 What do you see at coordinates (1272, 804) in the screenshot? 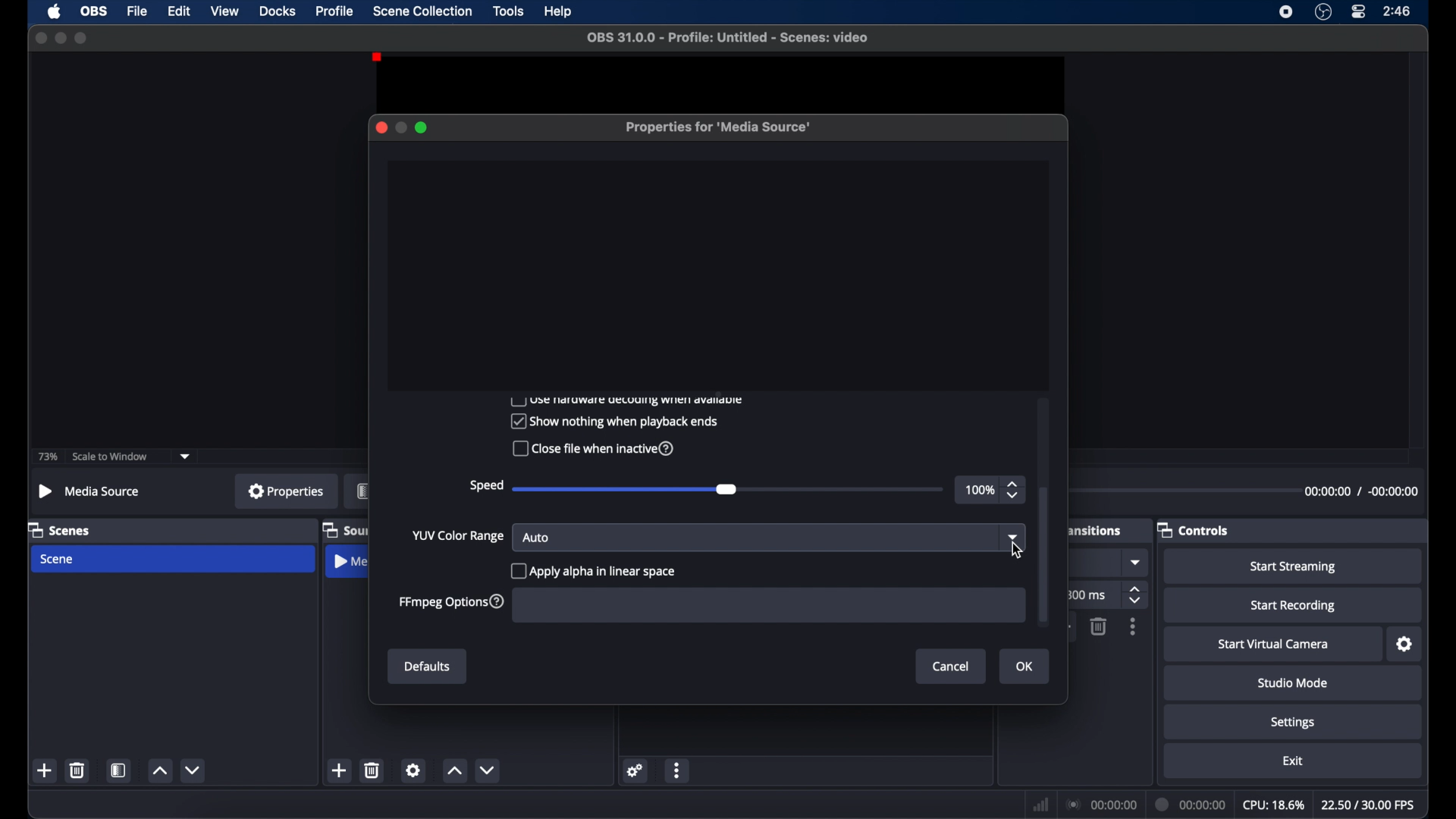
I see `cpu` at bounding box center [1272, 804].